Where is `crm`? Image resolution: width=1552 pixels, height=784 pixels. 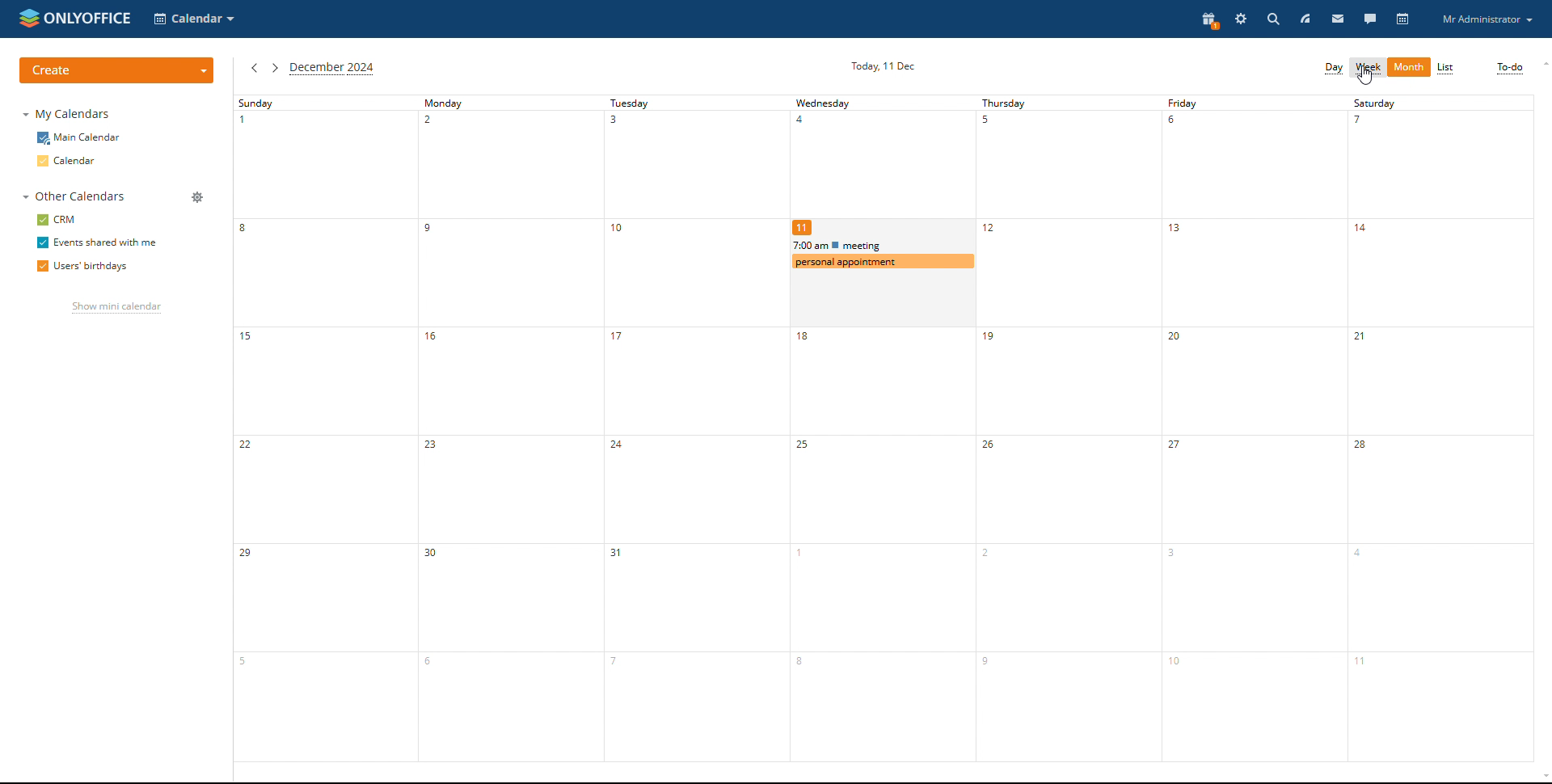 crm is located at coordinates (55, 220).